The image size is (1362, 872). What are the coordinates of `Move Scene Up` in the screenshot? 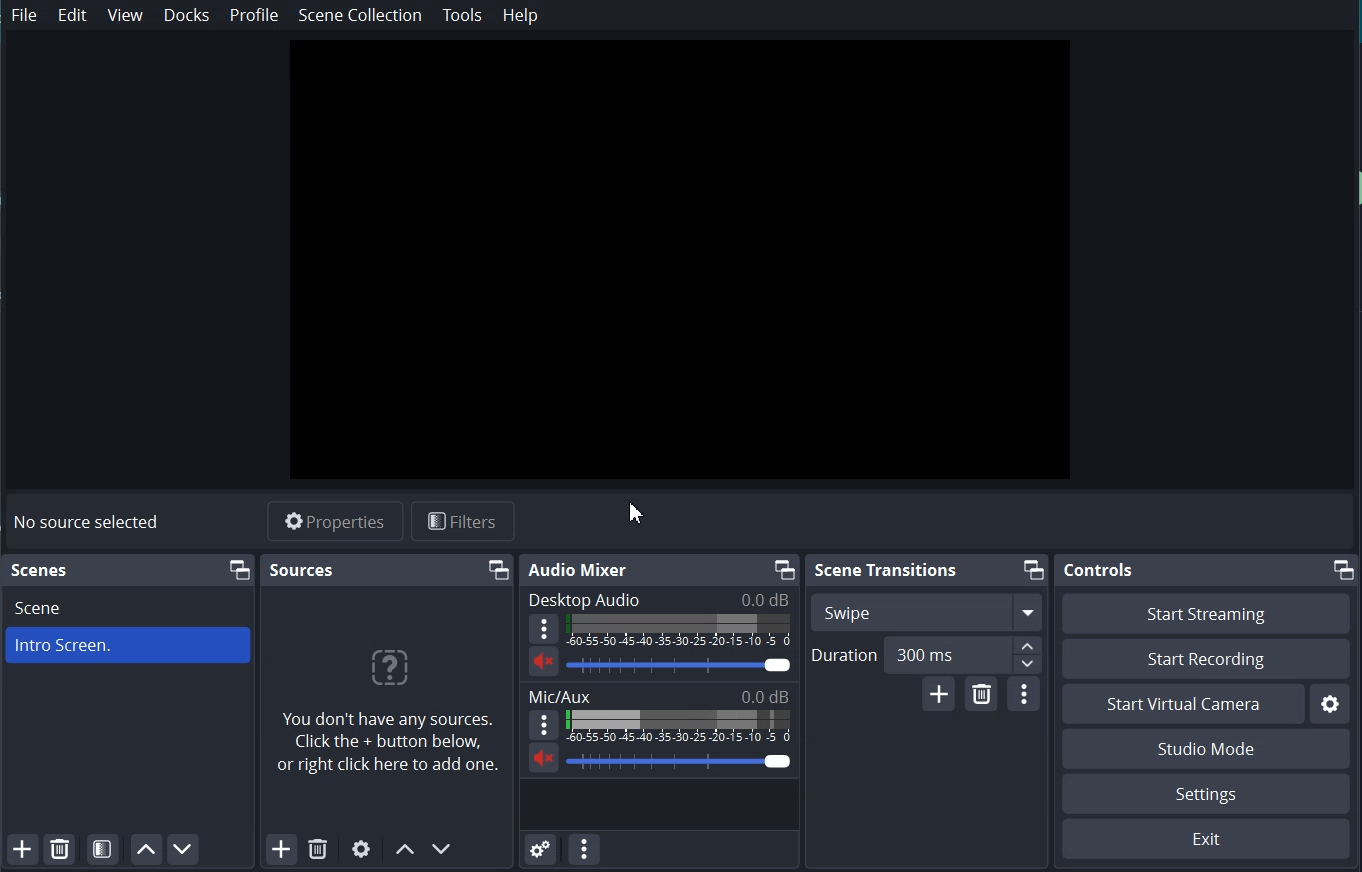 It's located at (143, 849).